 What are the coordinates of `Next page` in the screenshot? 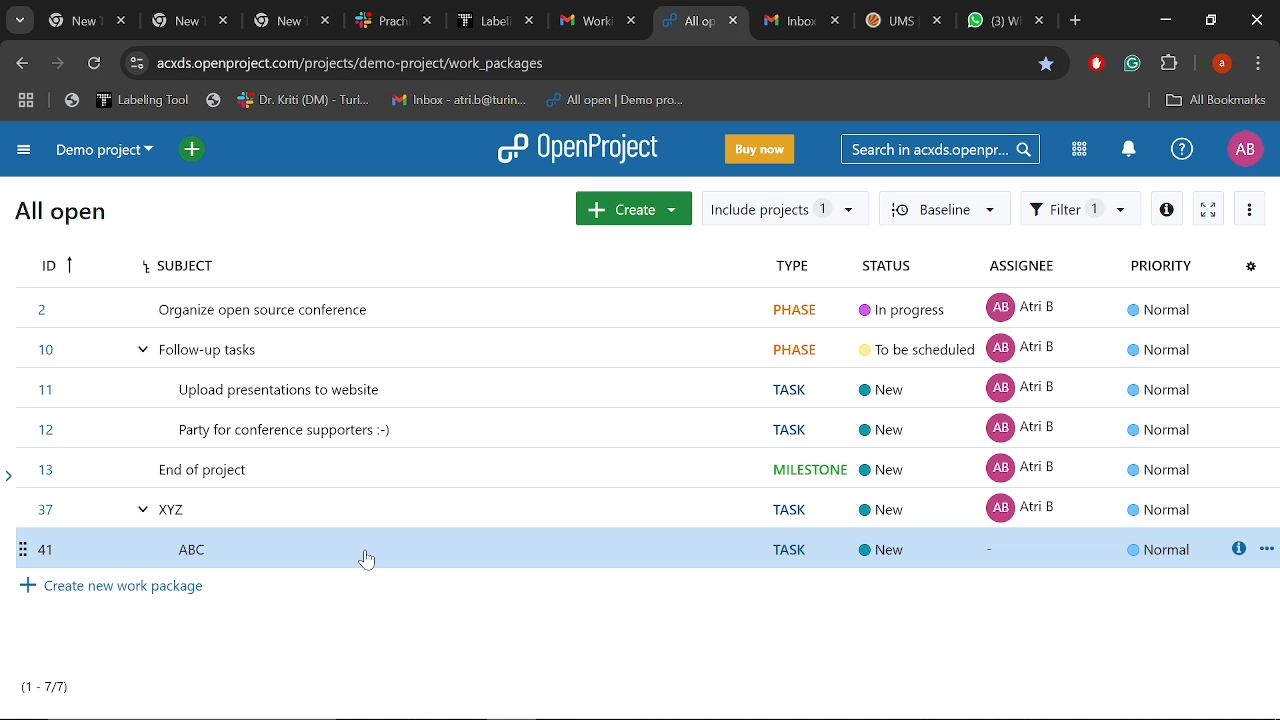 It's located at (60, 65).